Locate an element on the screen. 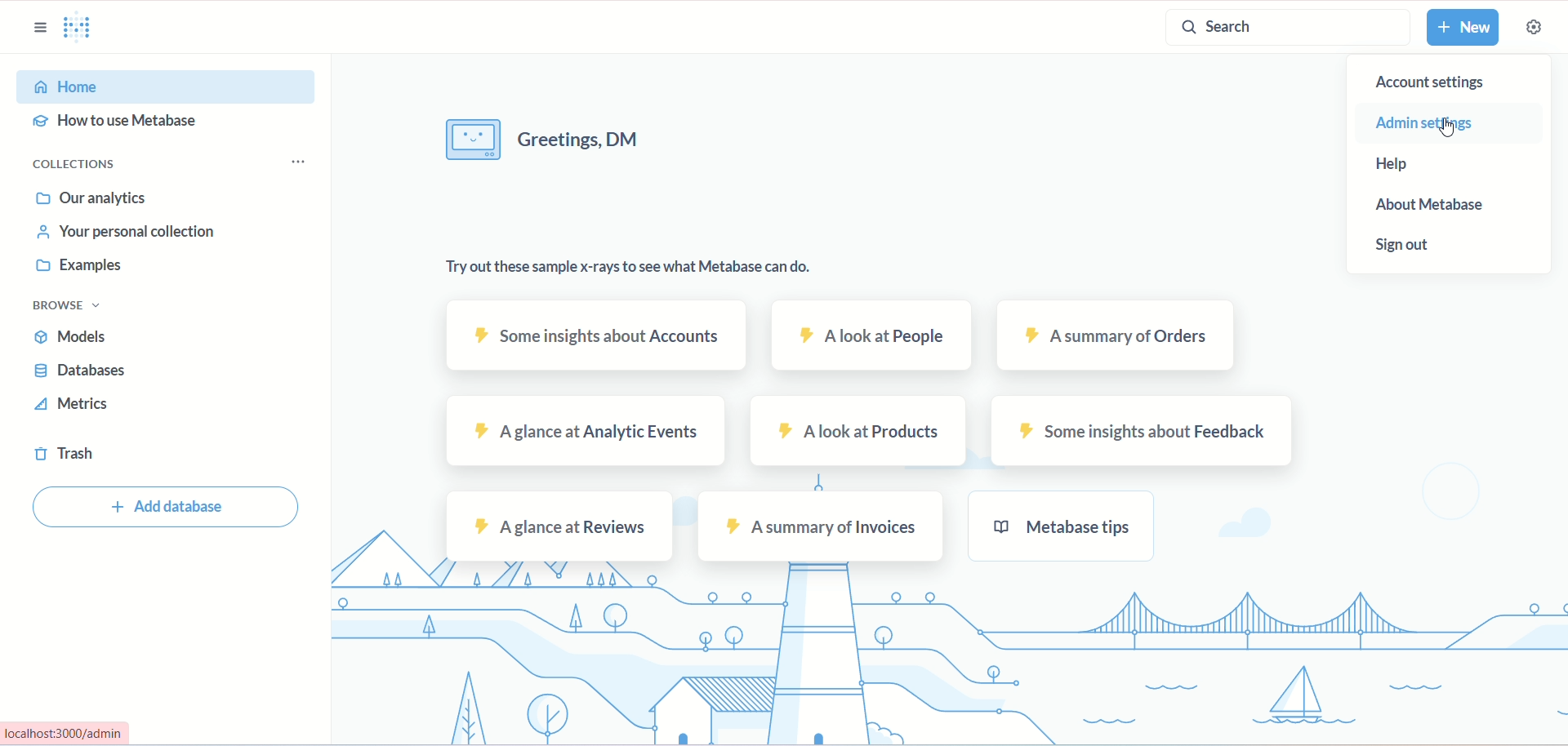 The image size is (1568, 746). admin settings is located at coordinates (1427, 125).